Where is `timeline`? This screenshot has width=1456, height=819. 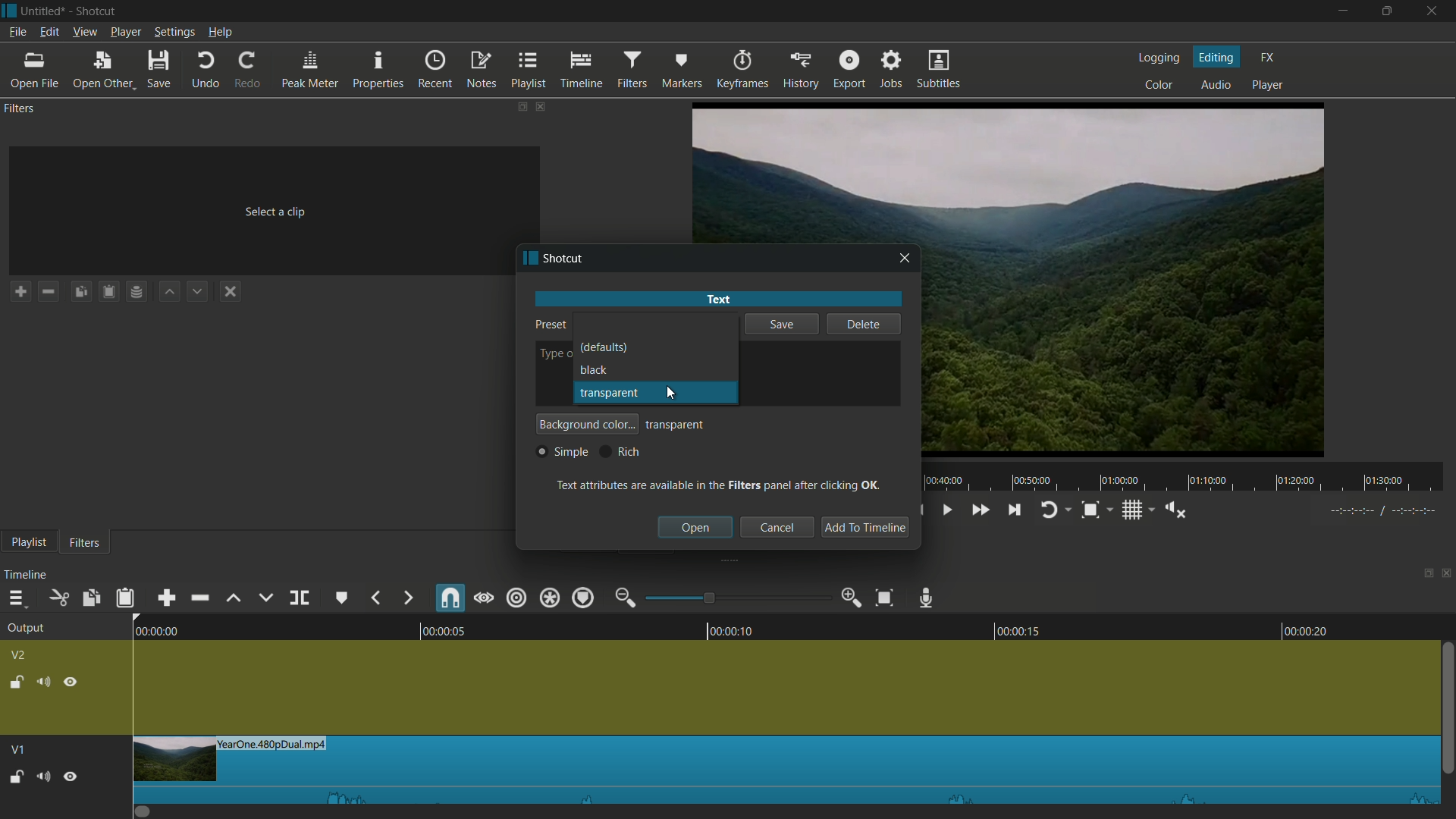 timeline is located at coordinates (27, 576).